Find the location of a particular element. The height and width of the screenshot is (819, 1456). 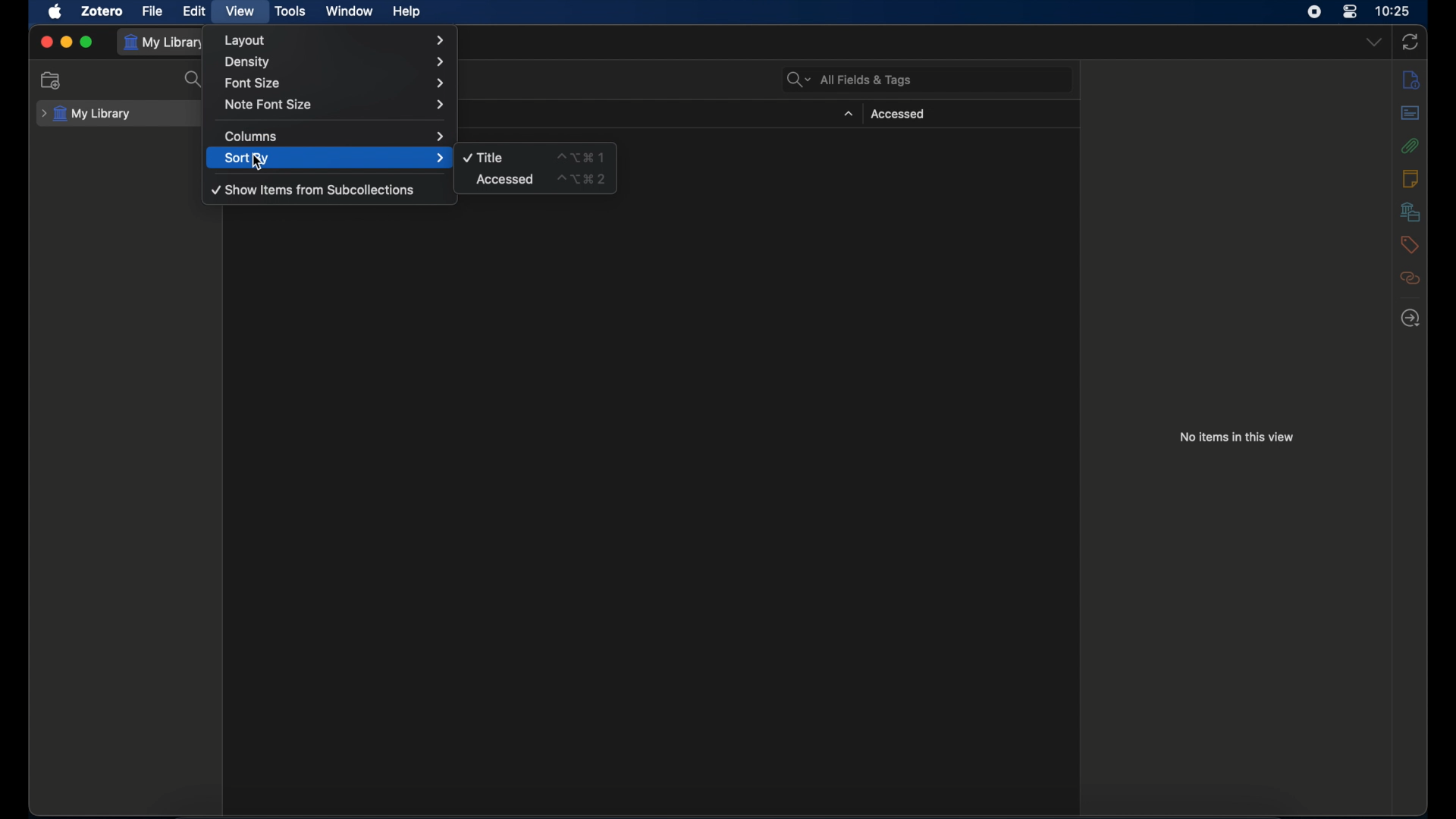

edit is located at coordinates (196, 11).